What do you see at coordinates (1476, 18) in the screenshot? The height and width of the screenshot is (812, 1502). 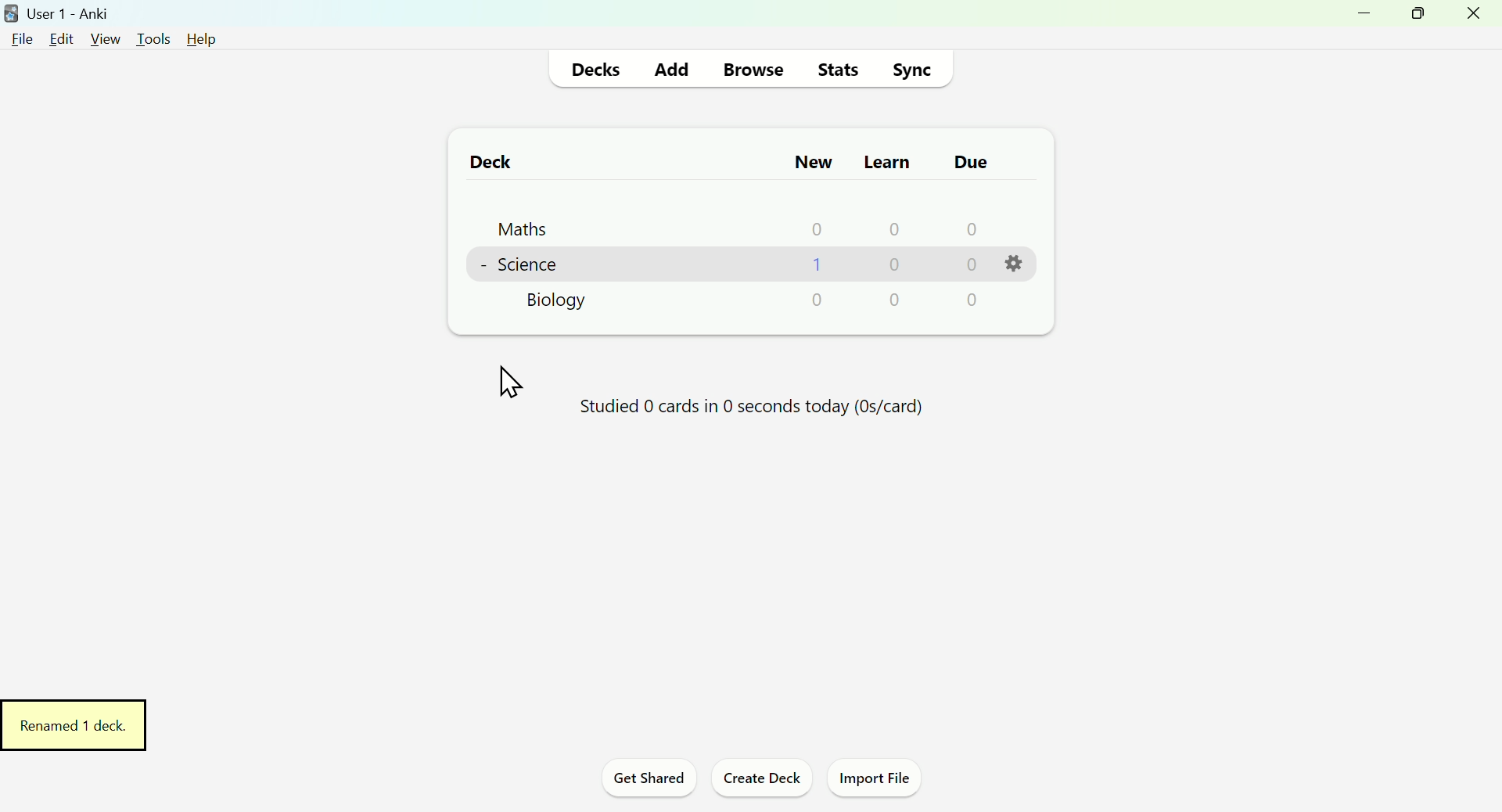 I see `Close` at bounding box center [1476, 18].